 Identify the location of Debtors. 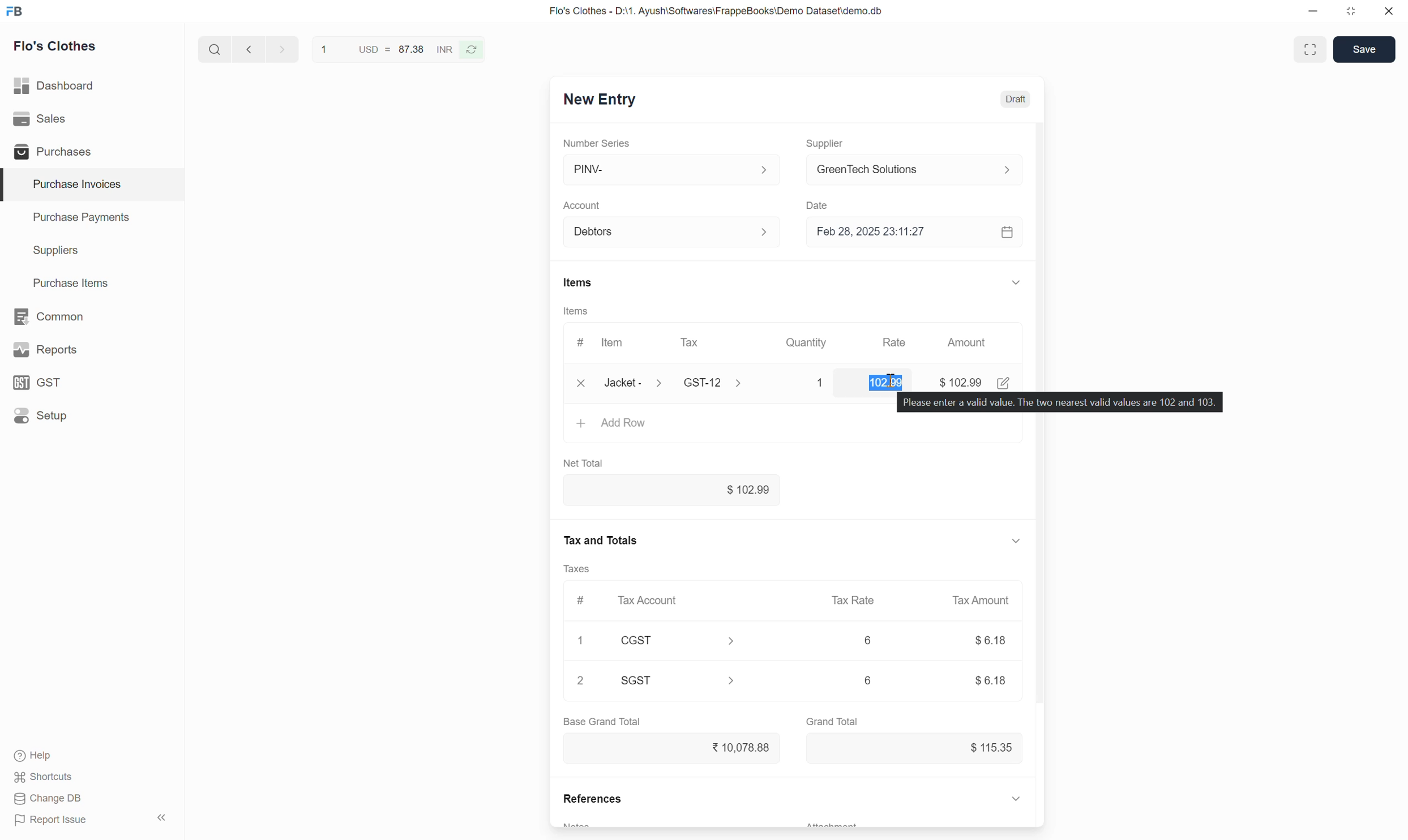
(674, 232).